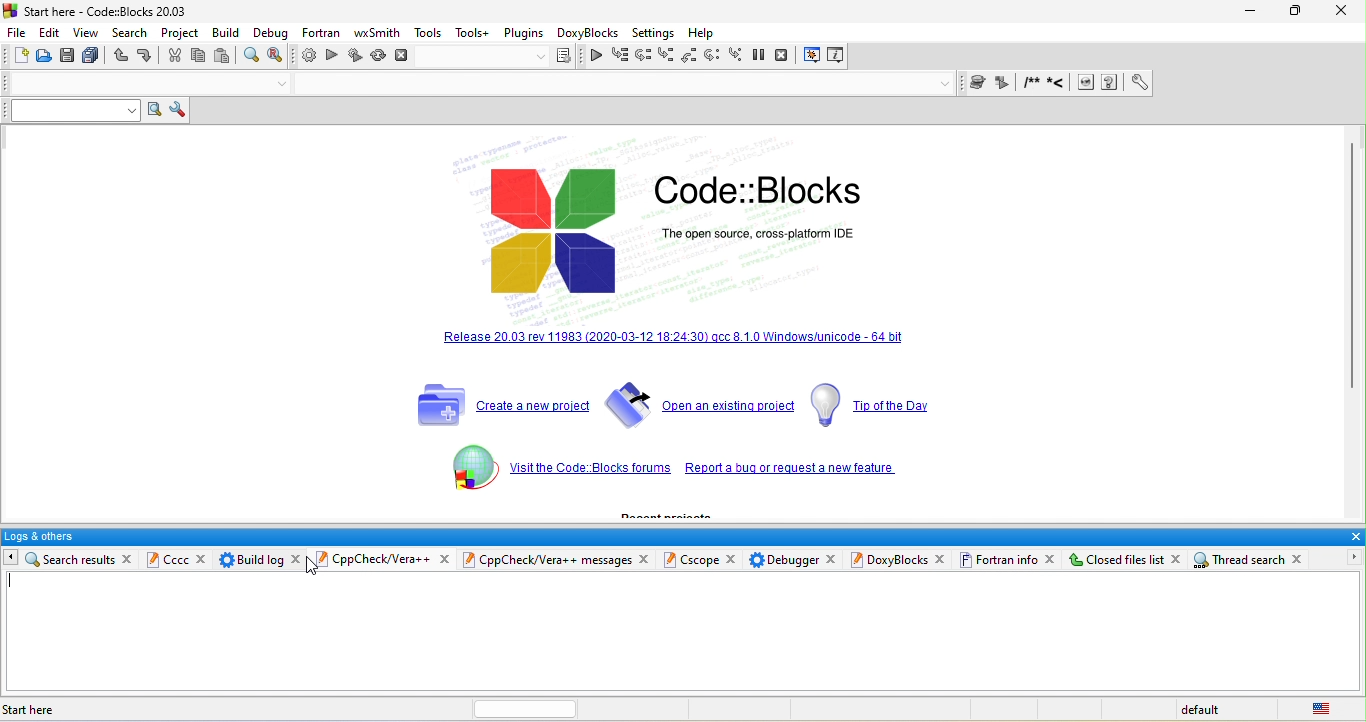 The image size is (1366, 722). What do you see at coordinates (222, 56) in the screenshot?
I see `paste` at bounding box center [222, 56].